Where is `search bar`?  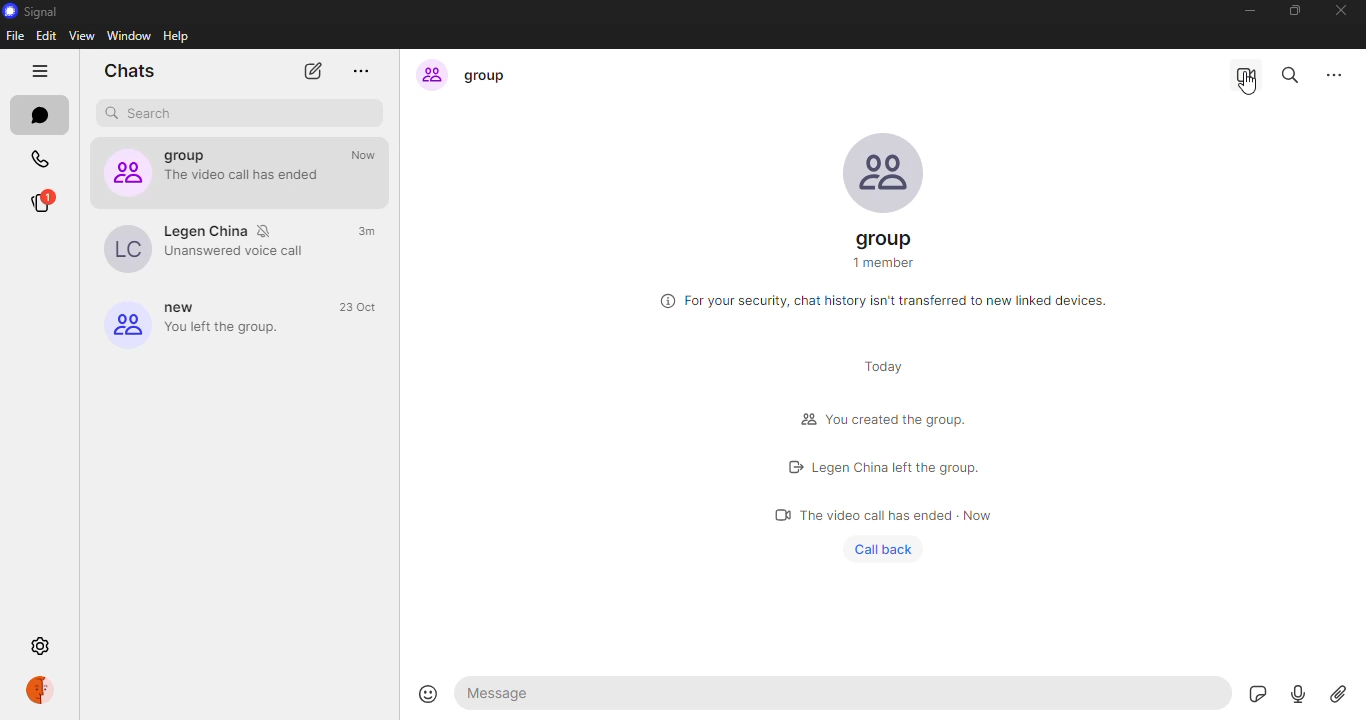
search bar is located at coordinates (248, 111).